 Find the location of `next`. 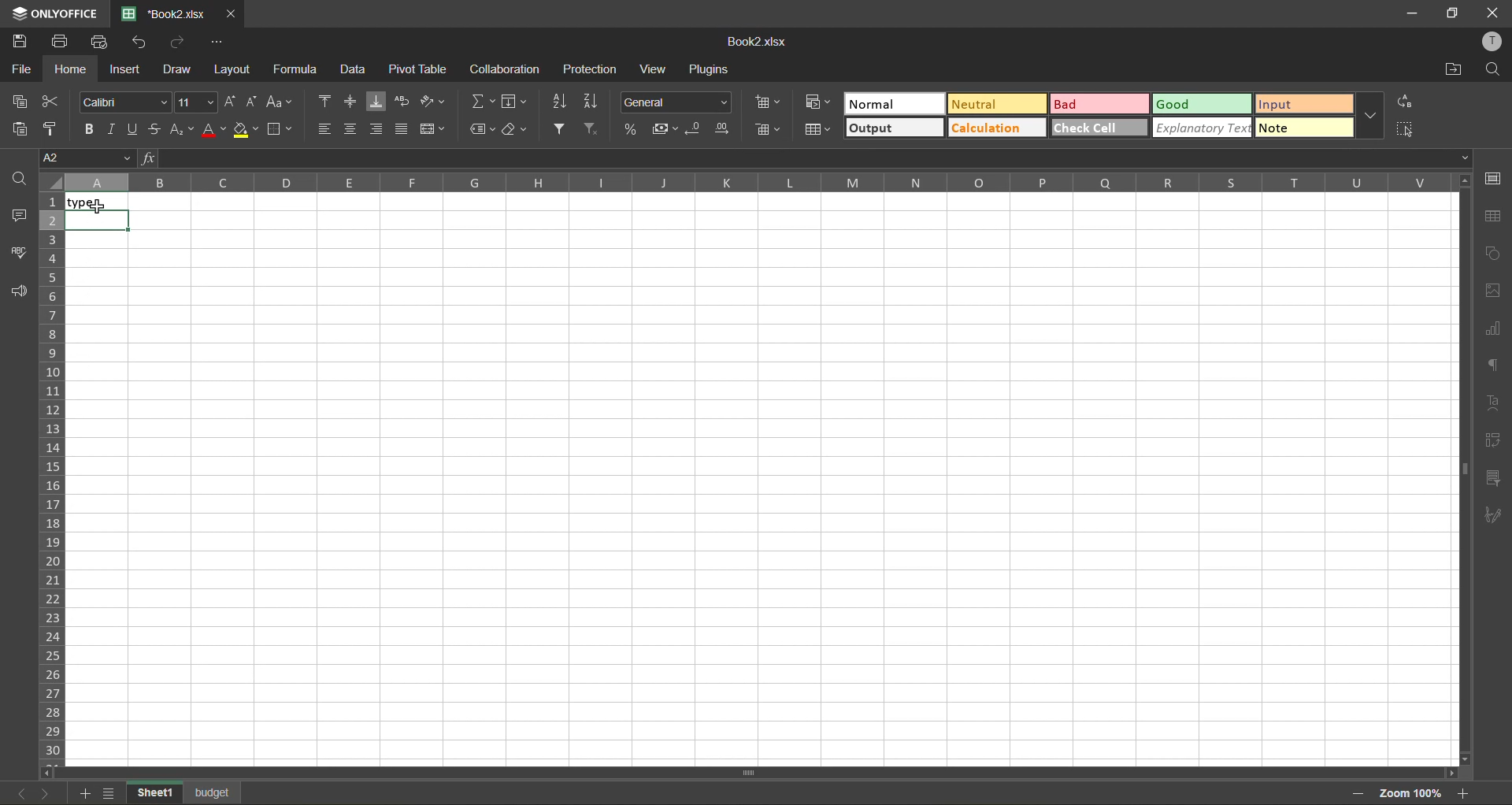

next is located at coordinates (42, 793).